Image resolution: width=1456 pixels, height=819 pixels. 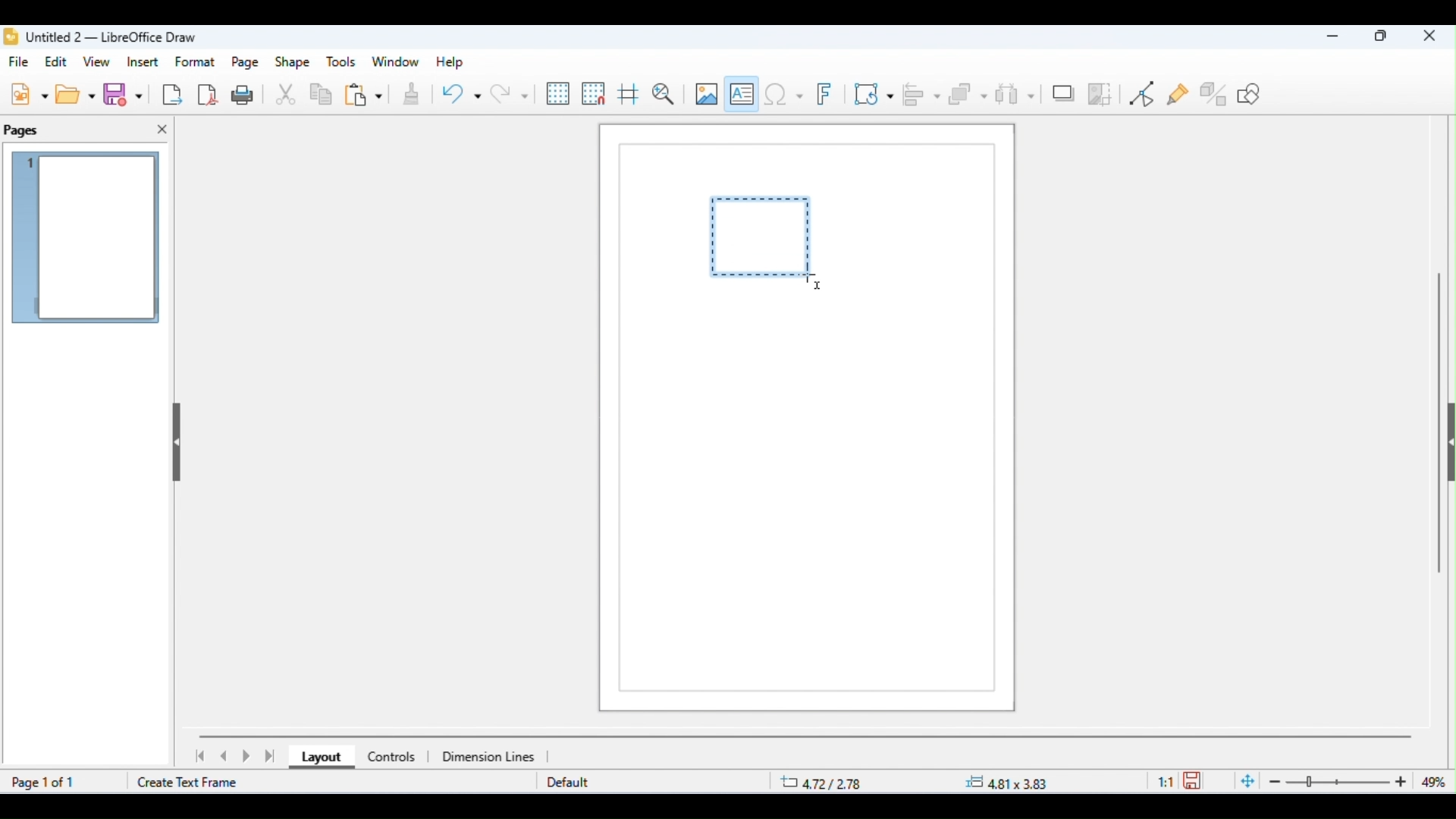 I want to click on controls, so click(x=391, y=757).